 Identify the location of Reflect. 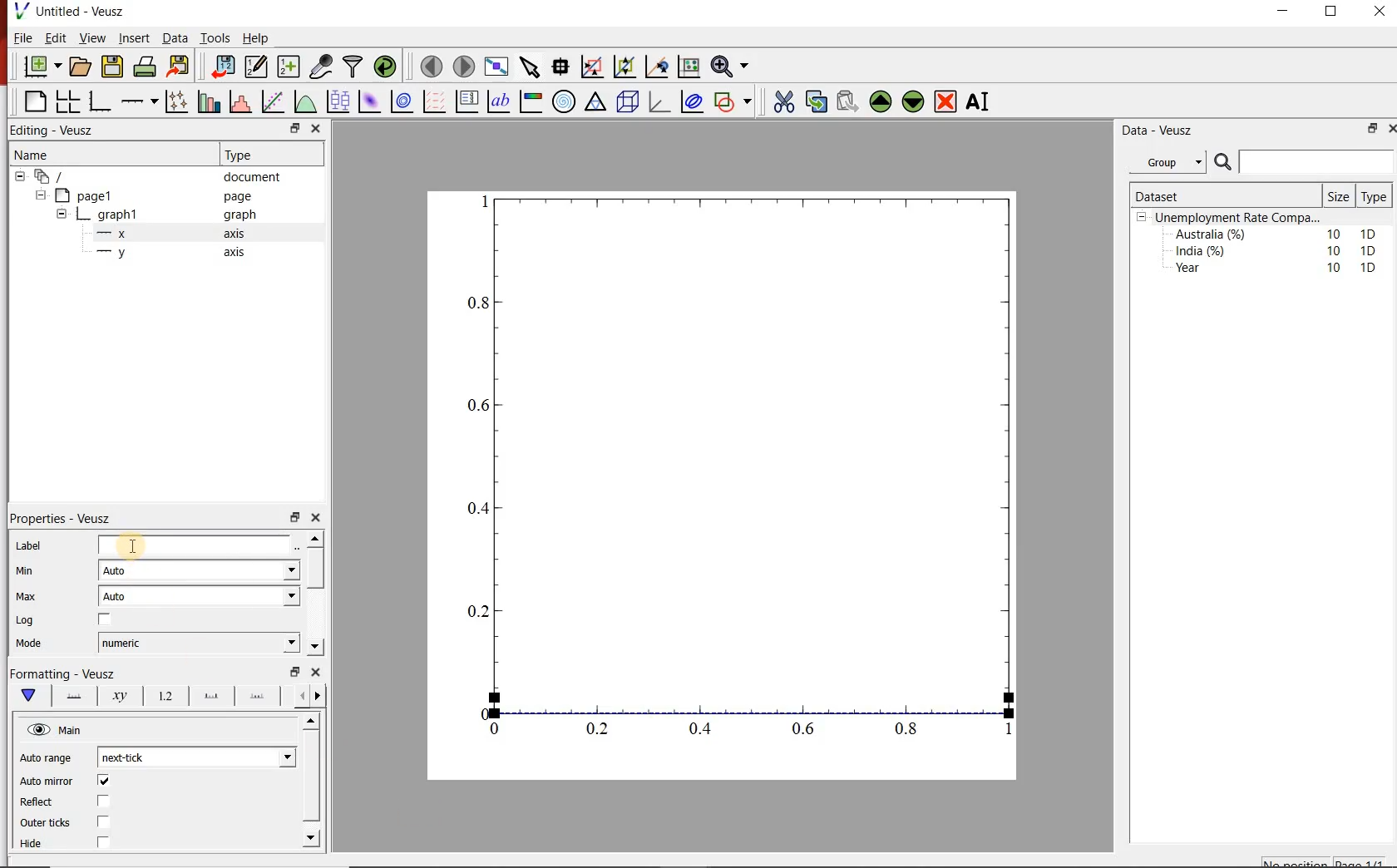
(37, 803).